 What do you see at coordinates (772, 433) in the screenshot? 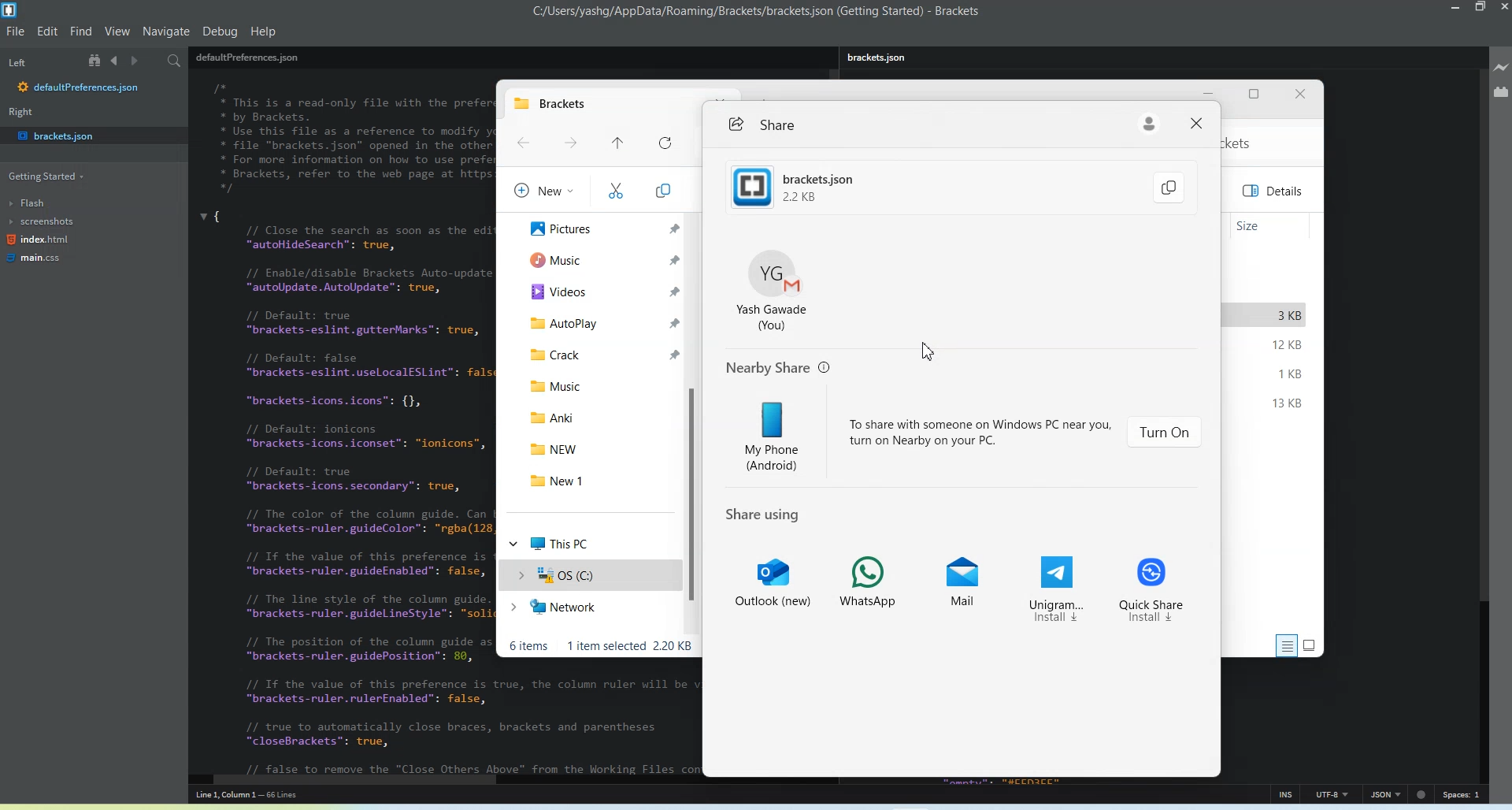
I see `My Phone` at bounding box center [772, 433].